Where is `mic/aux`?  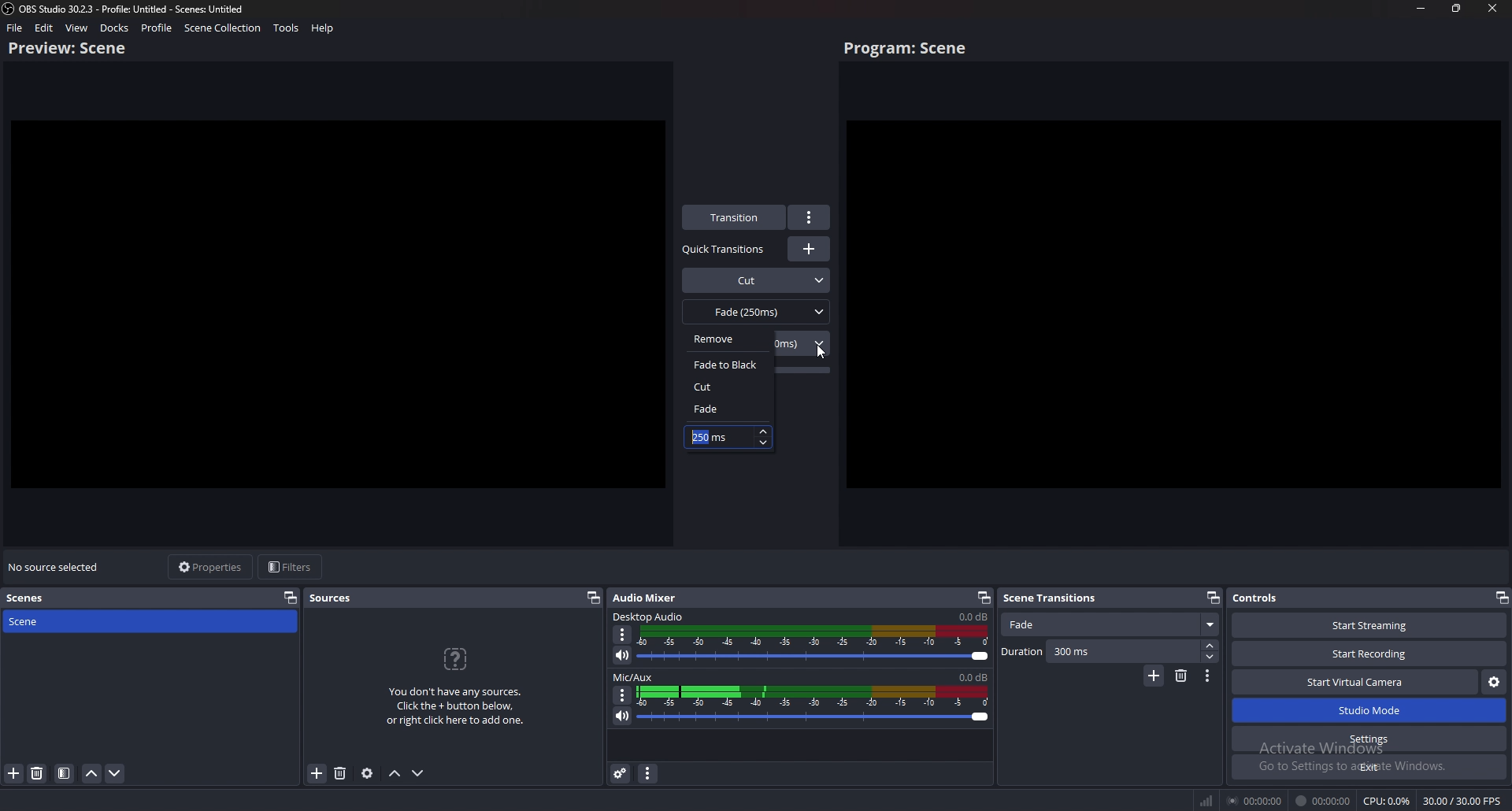
mic/aux is located at coordinates (636, 676).